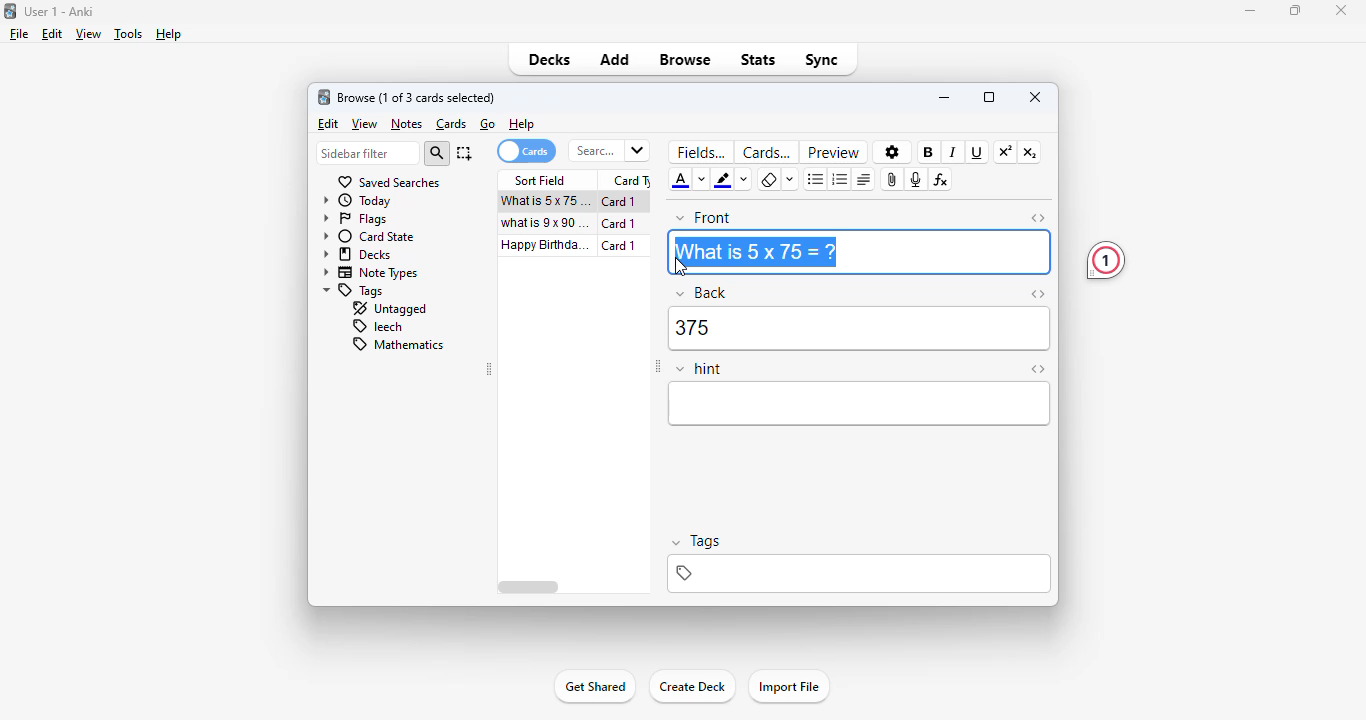 Image resolution: width=1366 pixels, height=720 pixels. What do you see at coordinates (692, 687) in the screenshot?
I see `create deck` at bounding box center [692, 687].